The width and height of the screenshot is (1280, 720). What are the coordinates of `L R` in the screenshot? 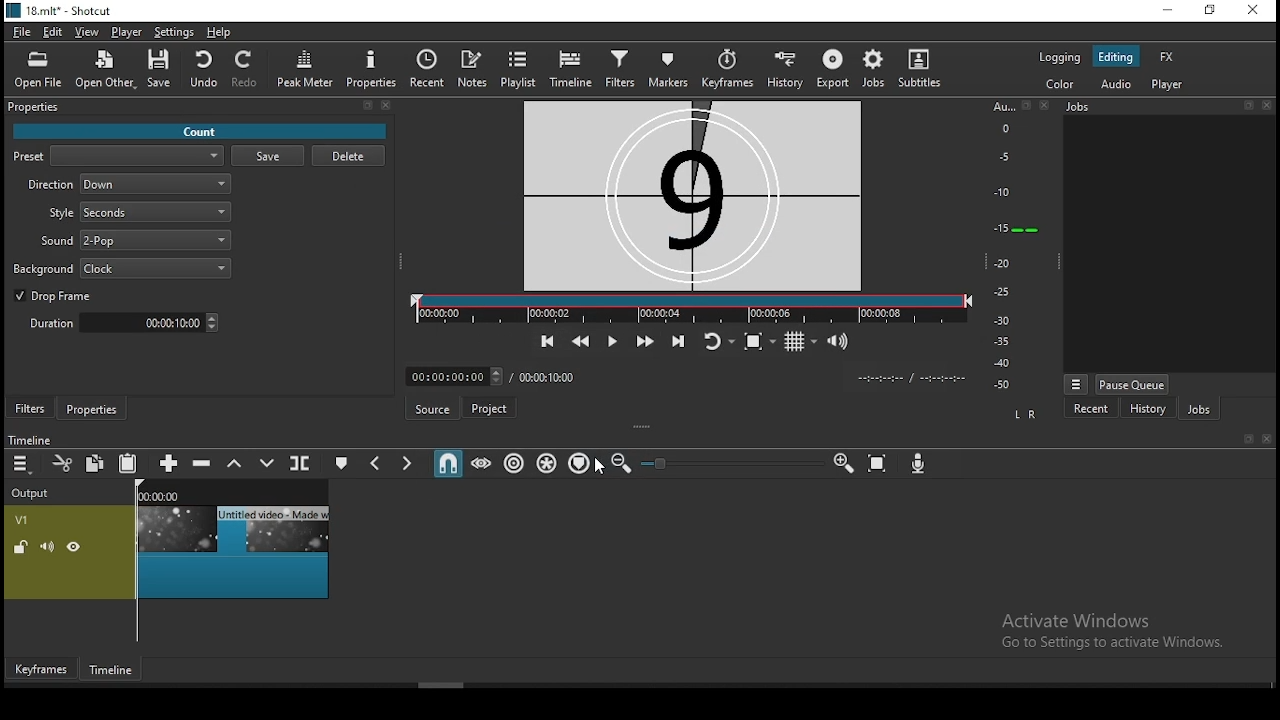 It's located at (1030, 414).